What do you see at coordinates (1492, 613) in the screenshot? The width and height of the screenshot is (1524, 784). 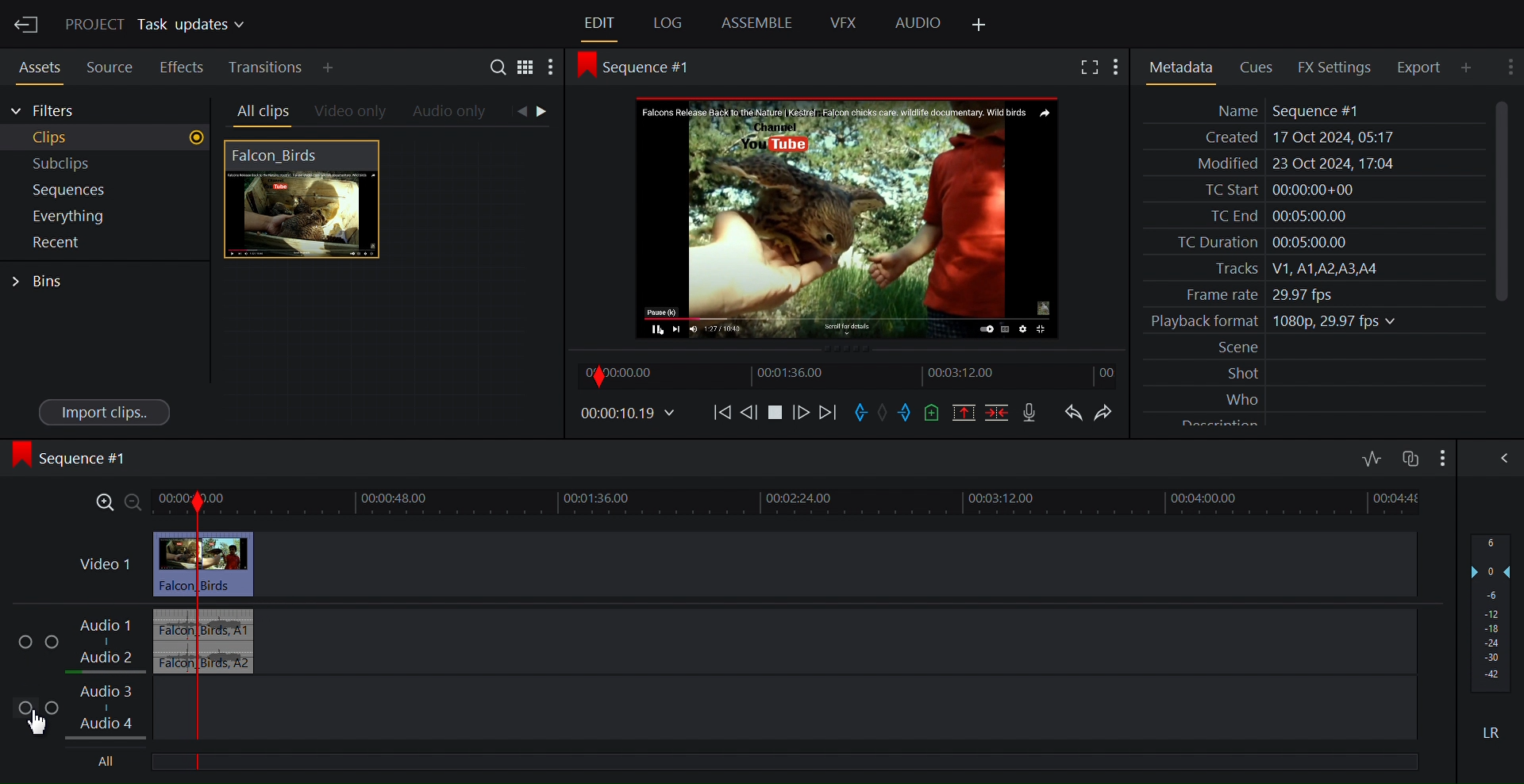 I see `Audio output level dB` at bounding box center [1492, 613].